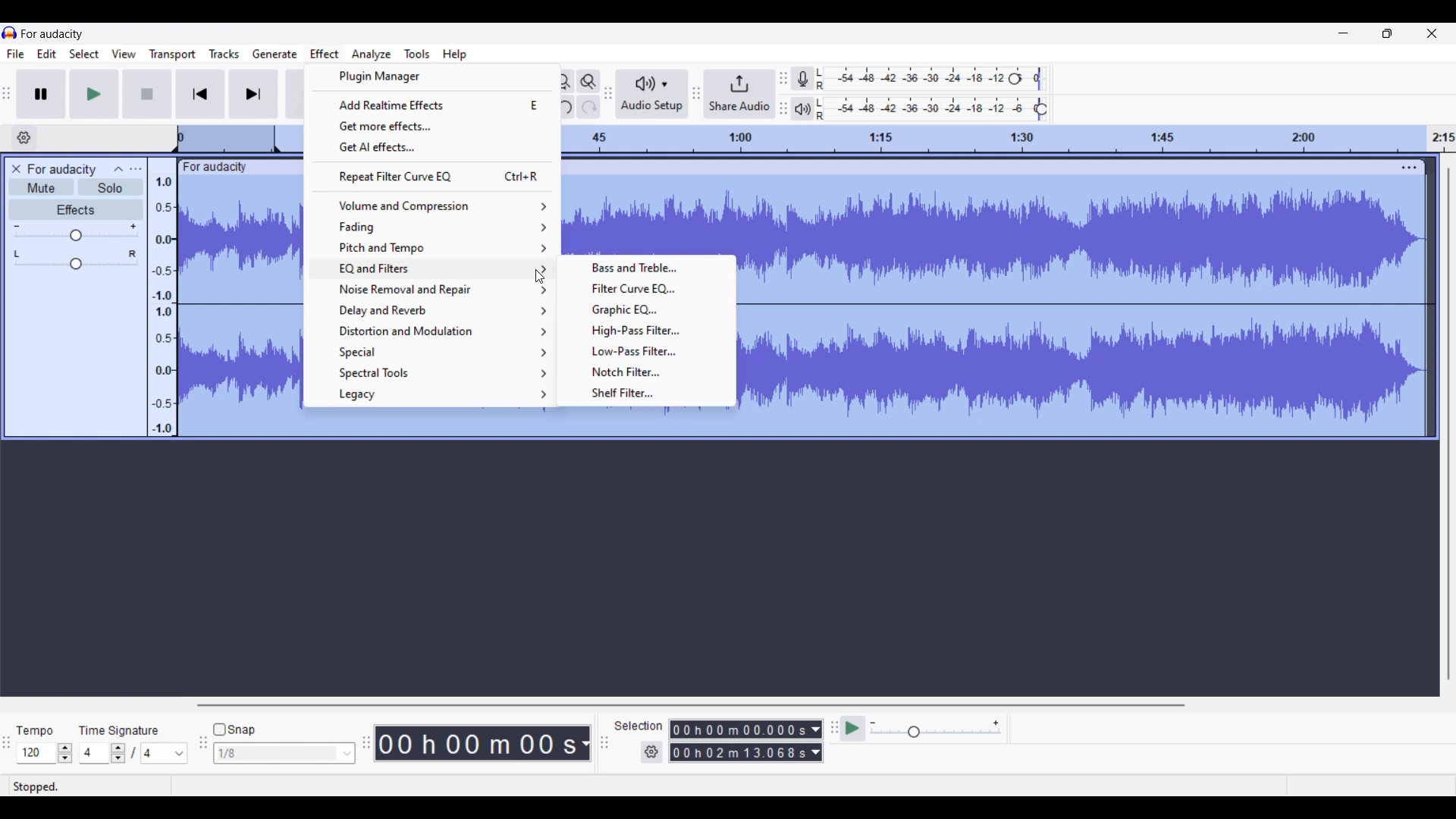 Image resolution: width=1456 pixels, height=819 pixels. What do you see at coordinates (325, 55) in the screenshot?
I see `Effect menu` at bounding box center [325, 55].